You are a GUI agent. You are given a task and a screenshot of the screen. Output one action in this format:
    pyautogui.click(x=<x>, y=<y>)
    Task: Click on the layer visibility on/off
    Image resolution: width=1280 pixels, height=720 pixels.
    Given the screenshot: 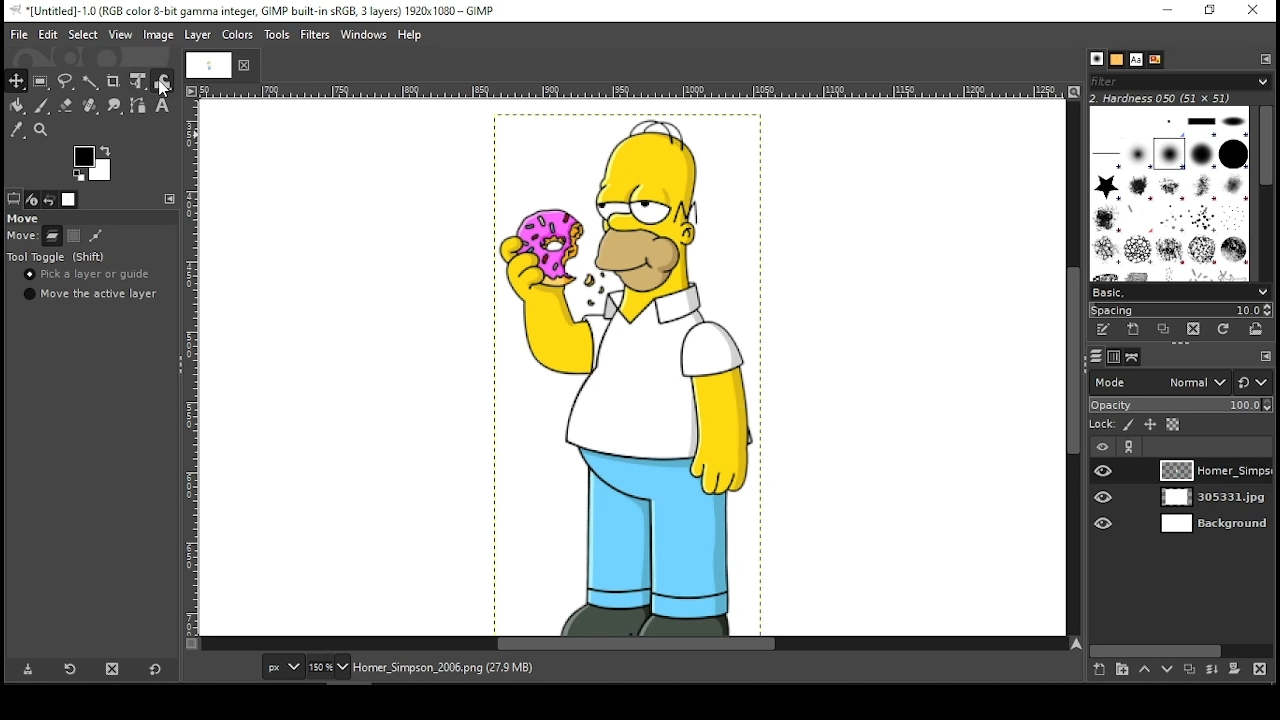 What is the action you would take?
    pyautogui.click(x=1106, y=498)
    